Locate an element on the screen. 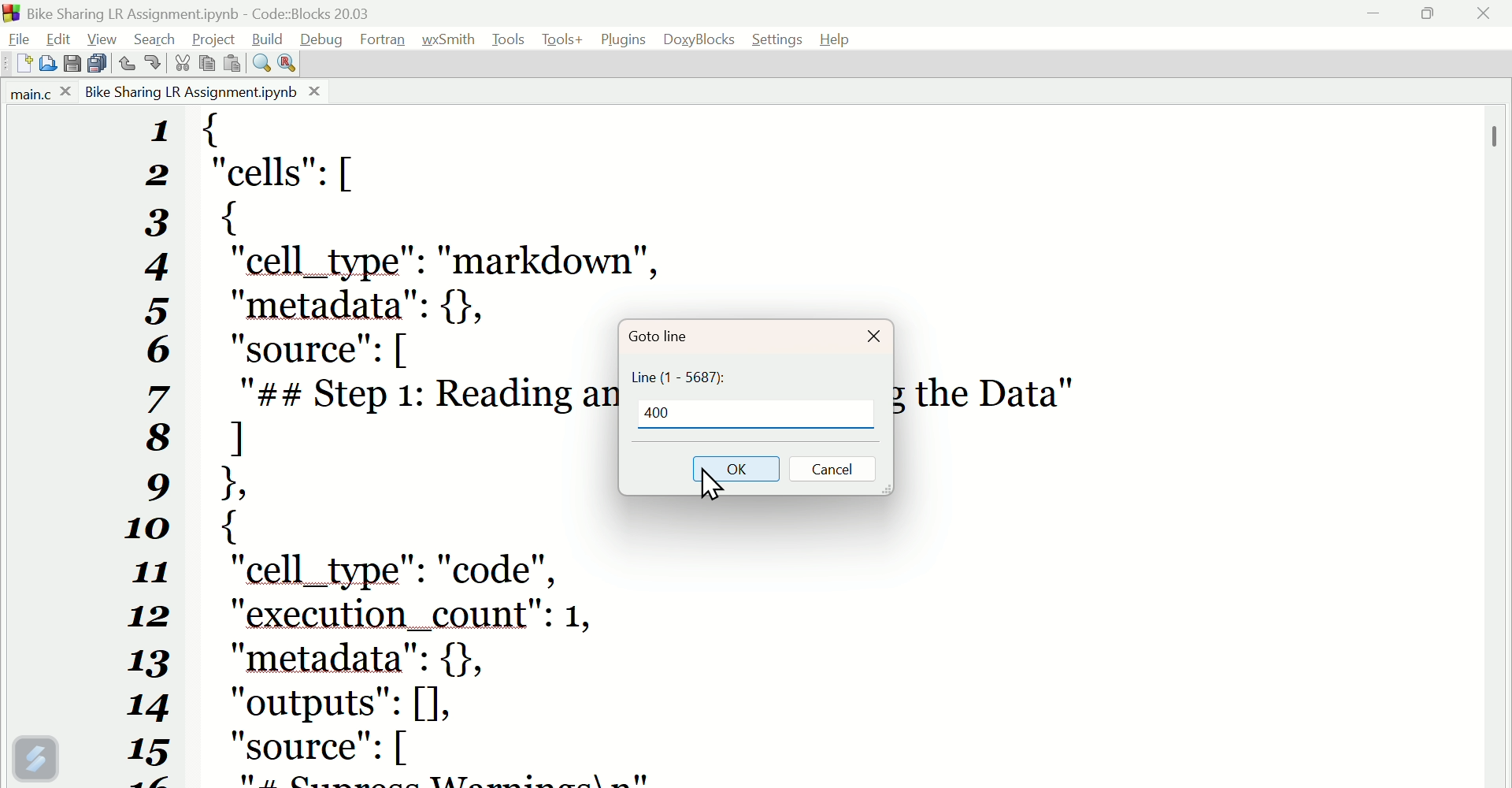 The width and height of the screenshot is (1512, 788). Undo is located at coordinates (128, 63).